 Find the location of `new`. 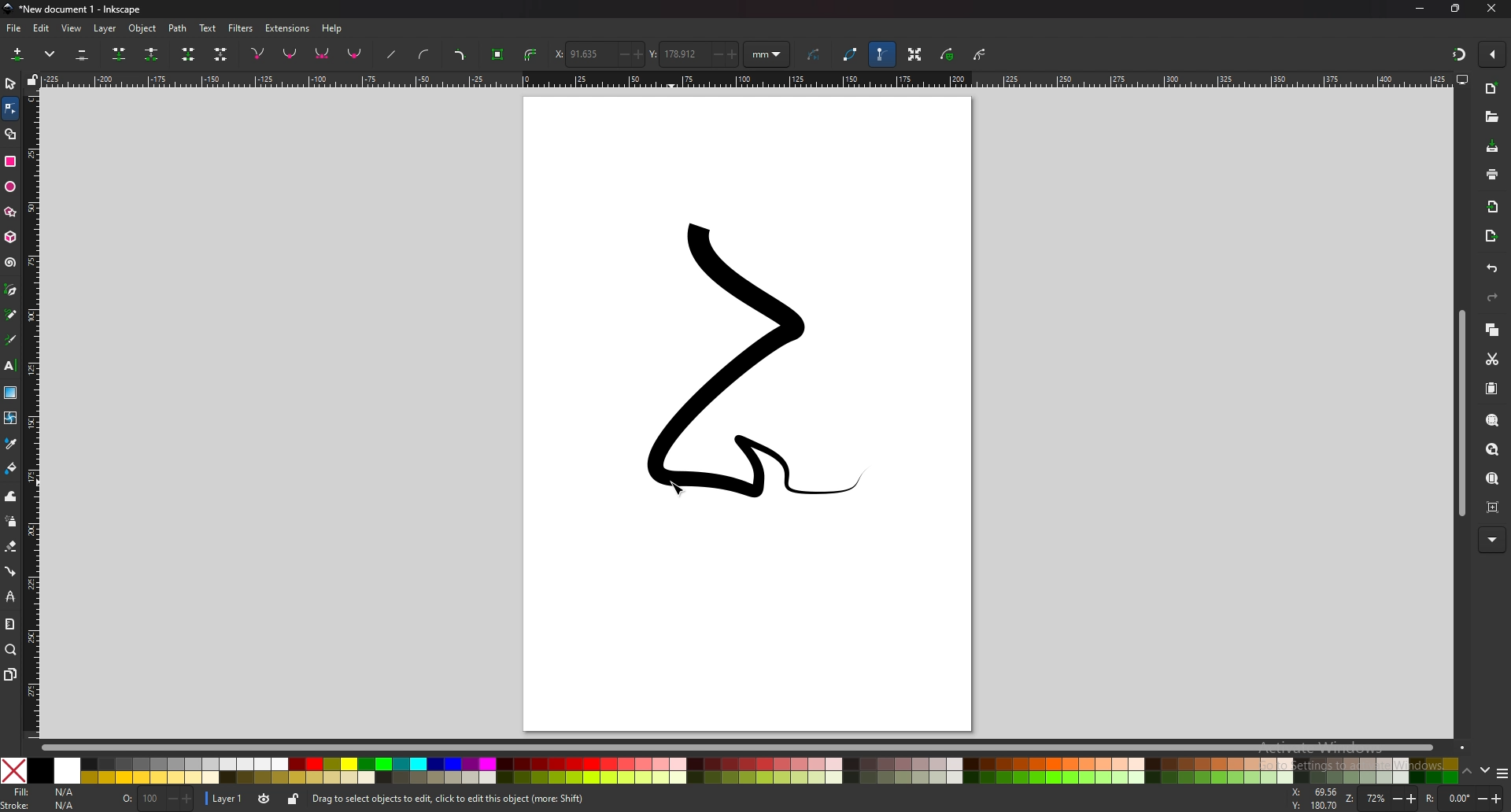

new is located at coordinates (1492, 90).